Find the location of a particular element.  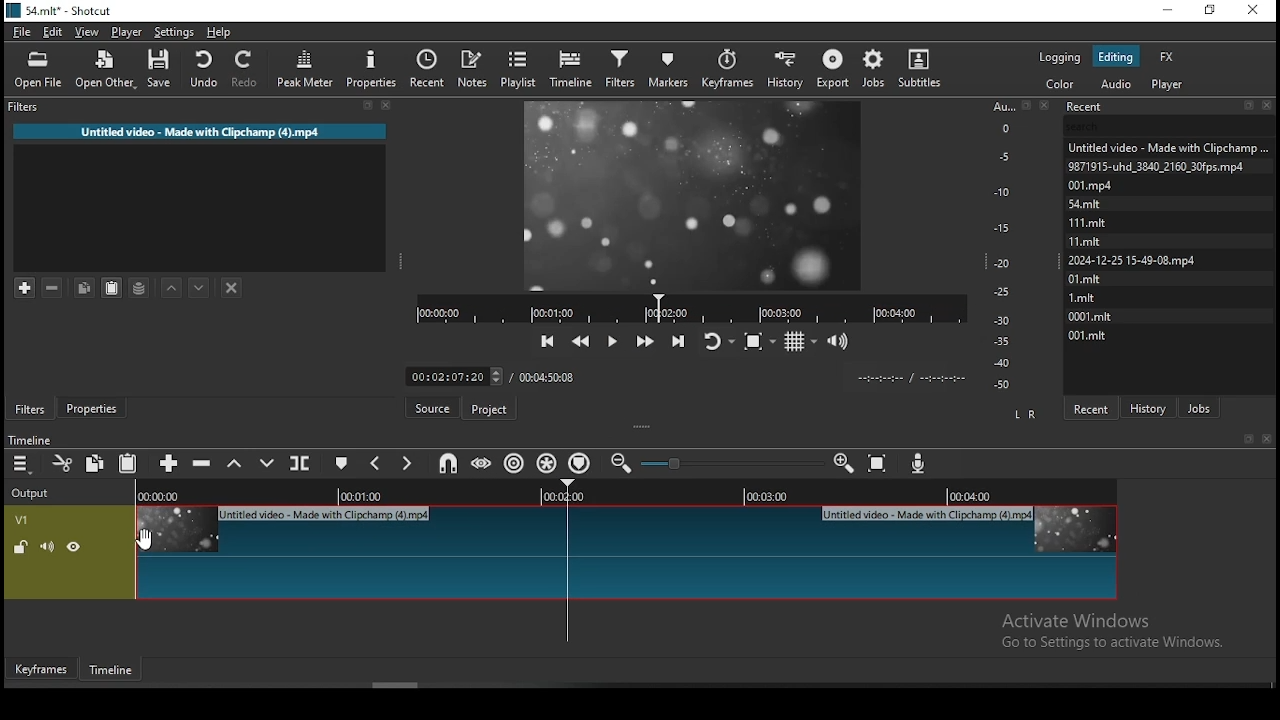

edit track time is located at coordinates (453, 376).